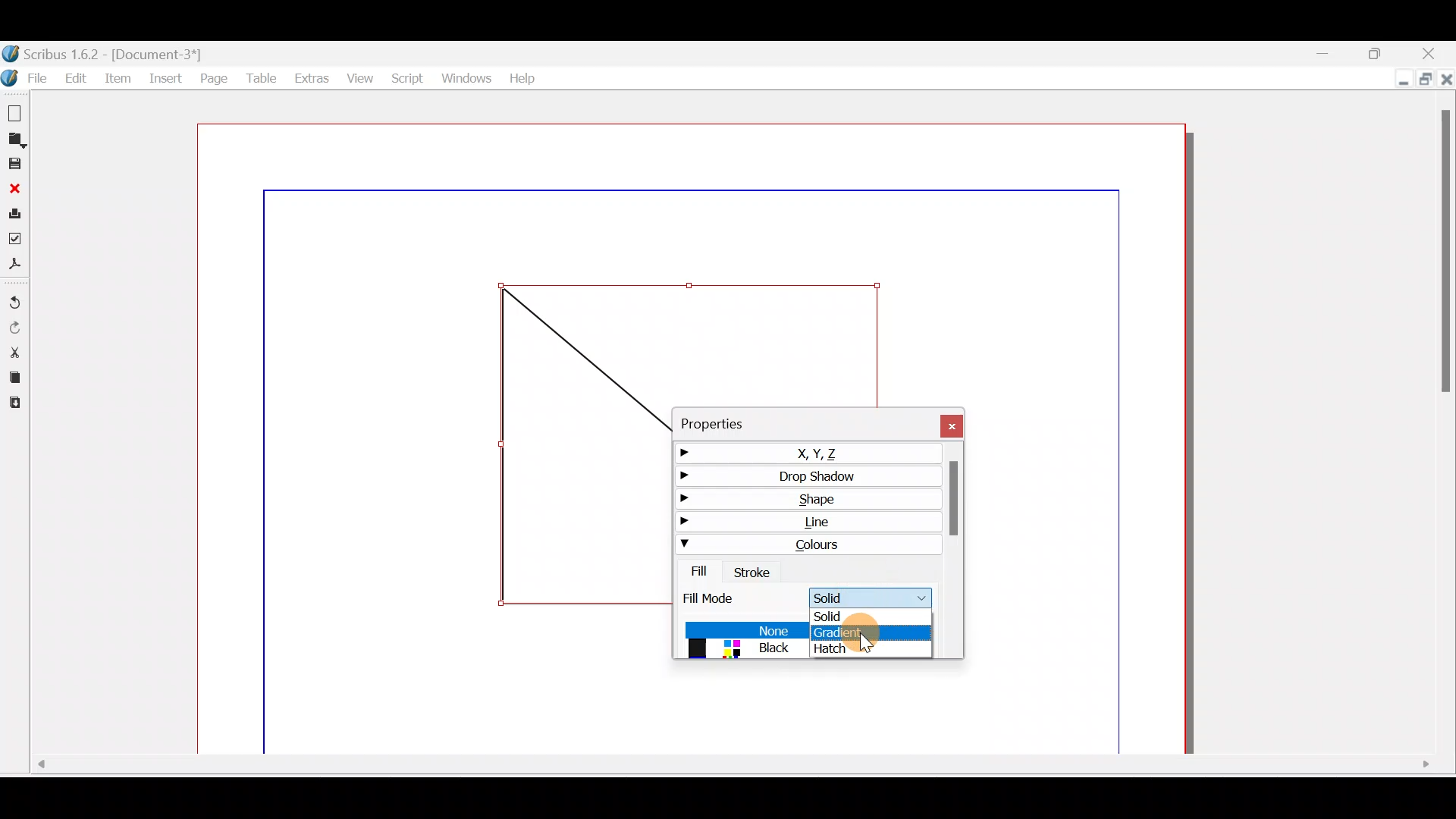  What do you see at coordinates (869, 642) in the screenshot?
I see `cursor` at bounding box center [869, 642].